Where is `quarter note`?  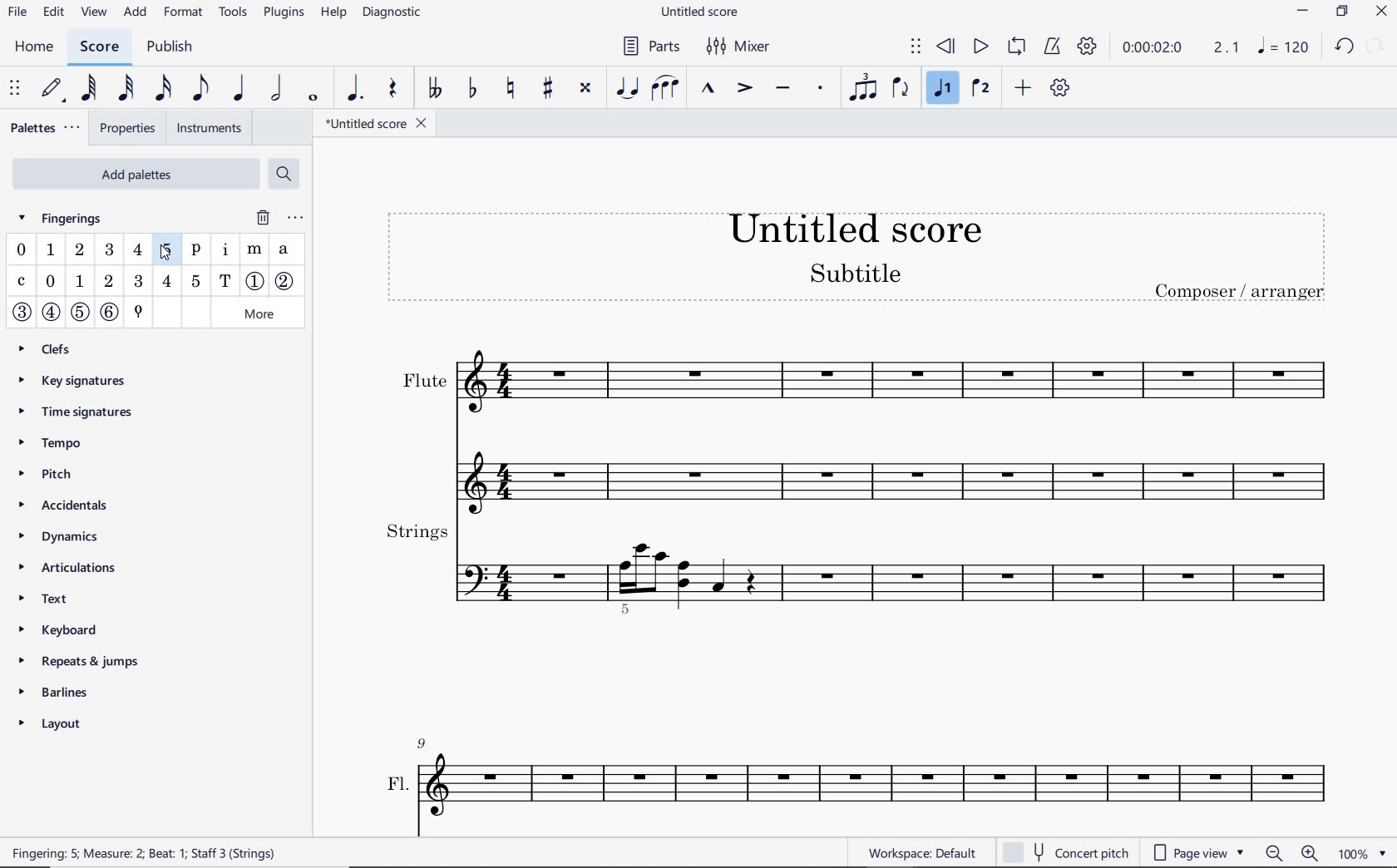 quarter note is located at coordinates (241, 89).